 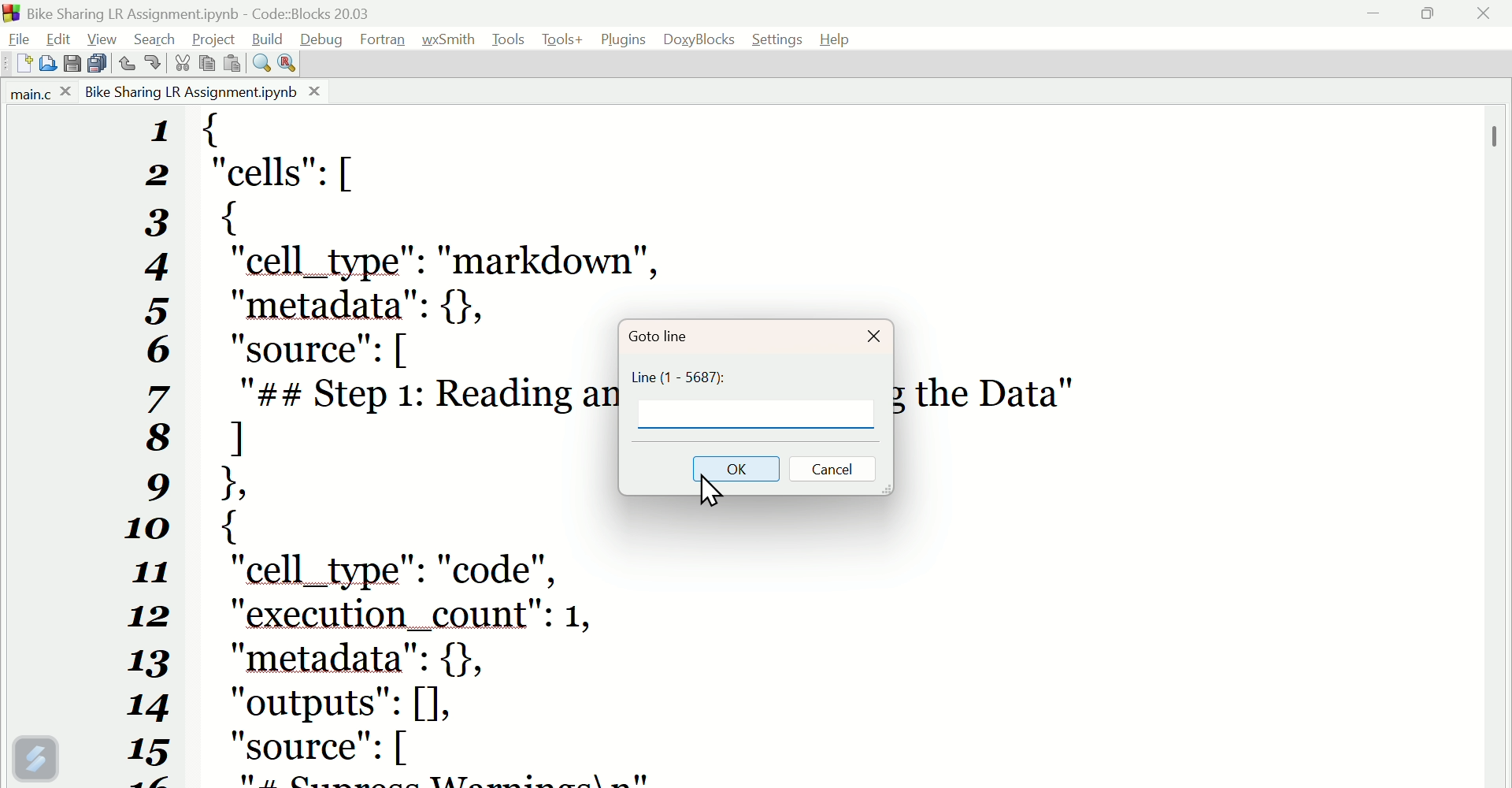 What do you see at coordinates (161, 448) in the screenshot?
I see `Numbers` at bounding box center [161, 448].